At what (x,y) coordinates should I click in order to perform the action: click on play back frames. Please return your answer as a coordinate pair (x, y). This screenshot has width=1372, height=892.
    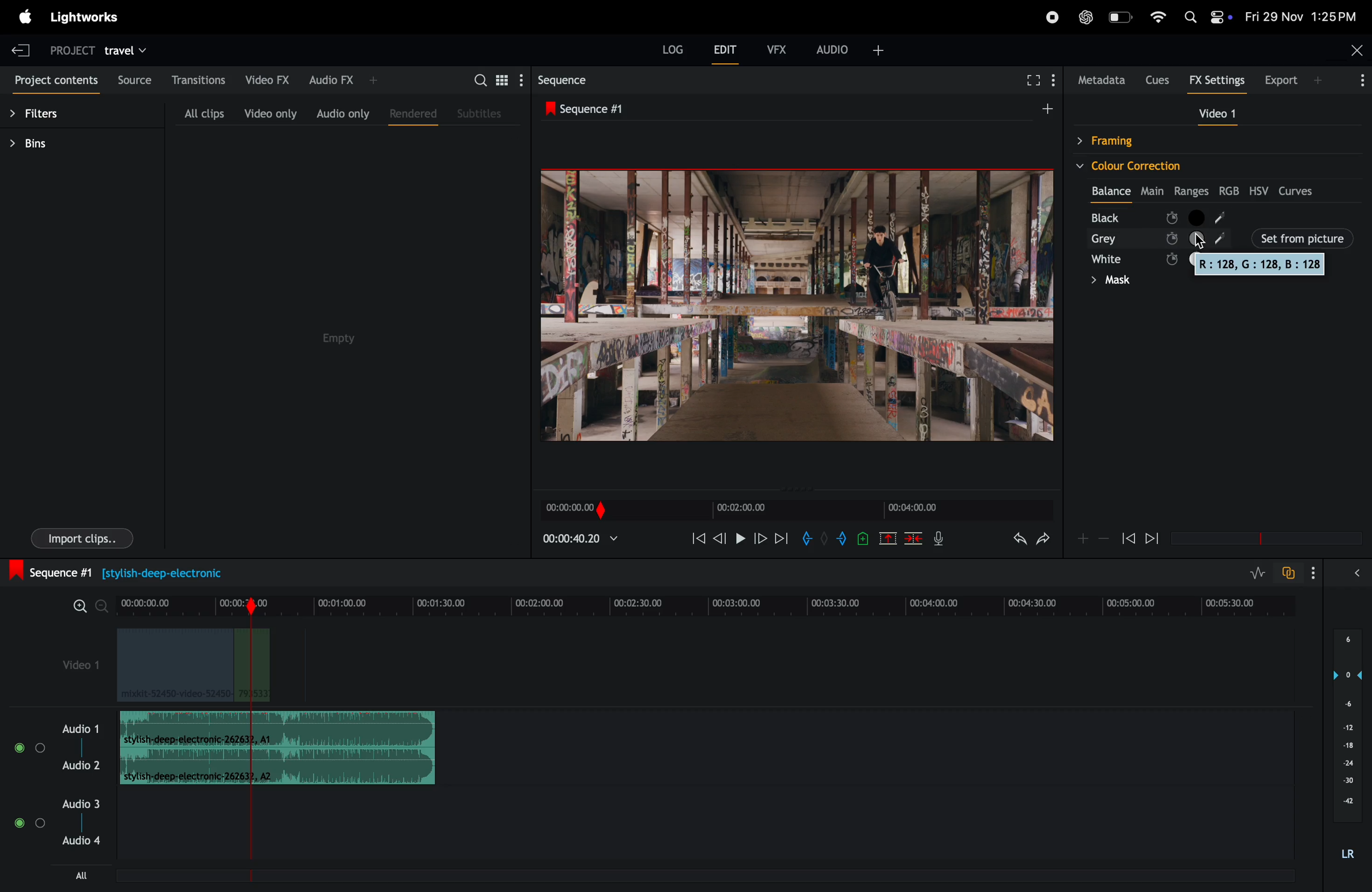
    Looking at the image, I should click on (795, 305).